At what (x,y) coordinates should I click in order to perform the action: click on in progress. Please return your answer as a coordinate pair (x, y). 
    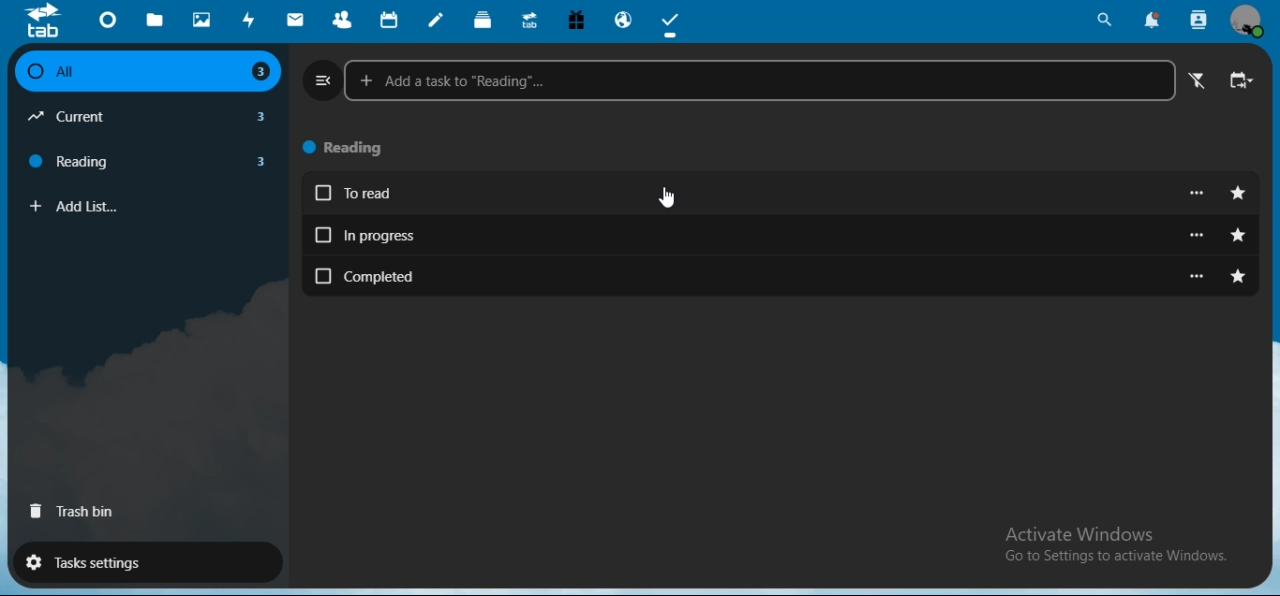
    Looking at the image, I should click on (747, 235).